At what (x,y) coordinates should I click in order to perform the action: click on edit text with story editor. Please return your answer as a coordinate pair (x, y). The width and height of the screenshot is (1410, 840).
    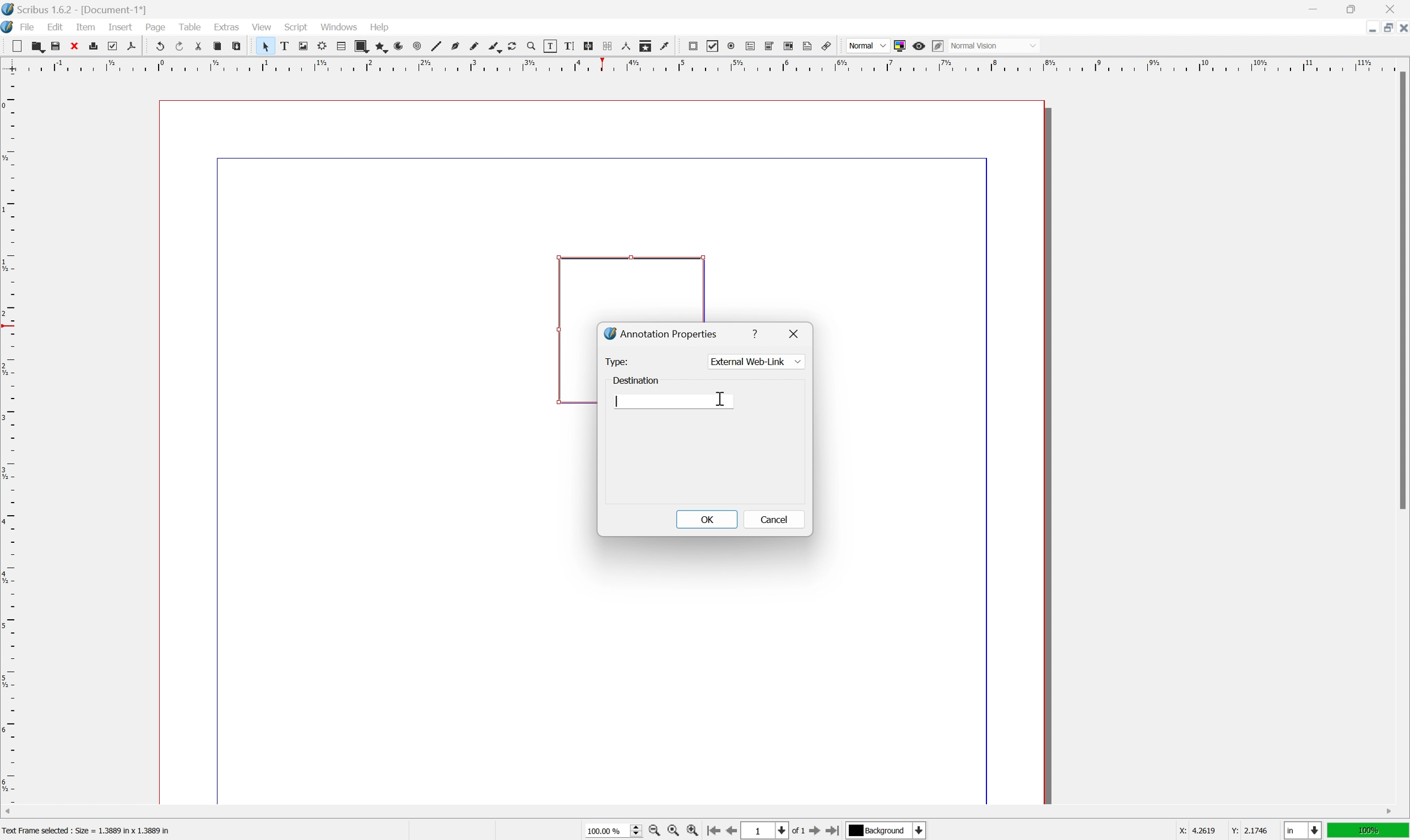
    Looking at the image, I should click on (569, 46).